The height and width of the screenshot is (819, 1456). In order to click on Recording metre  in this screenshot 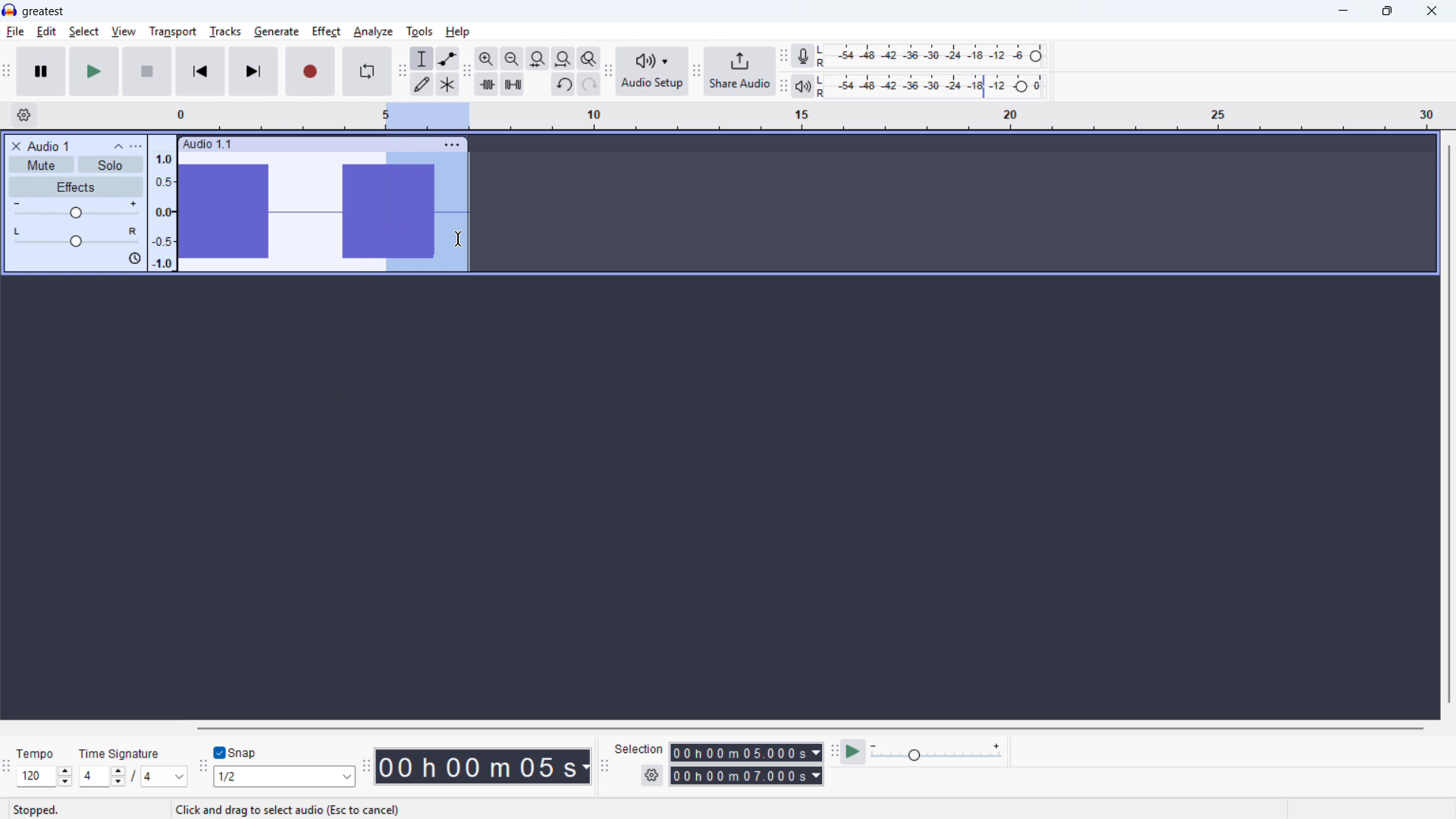, I will do `click(802, 56)`.